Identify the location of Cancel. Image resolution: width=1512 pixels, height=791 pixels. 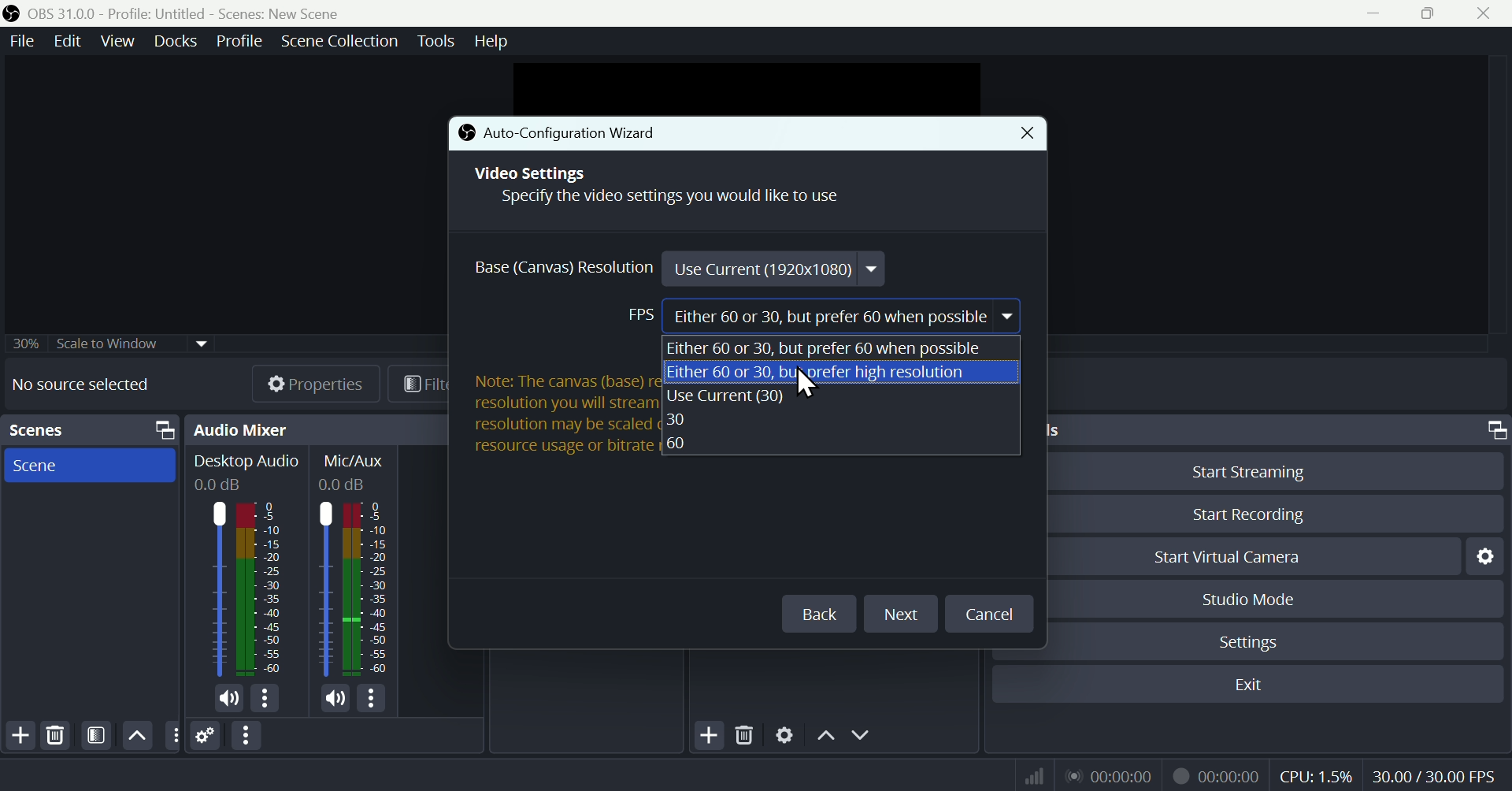
(988, 615).